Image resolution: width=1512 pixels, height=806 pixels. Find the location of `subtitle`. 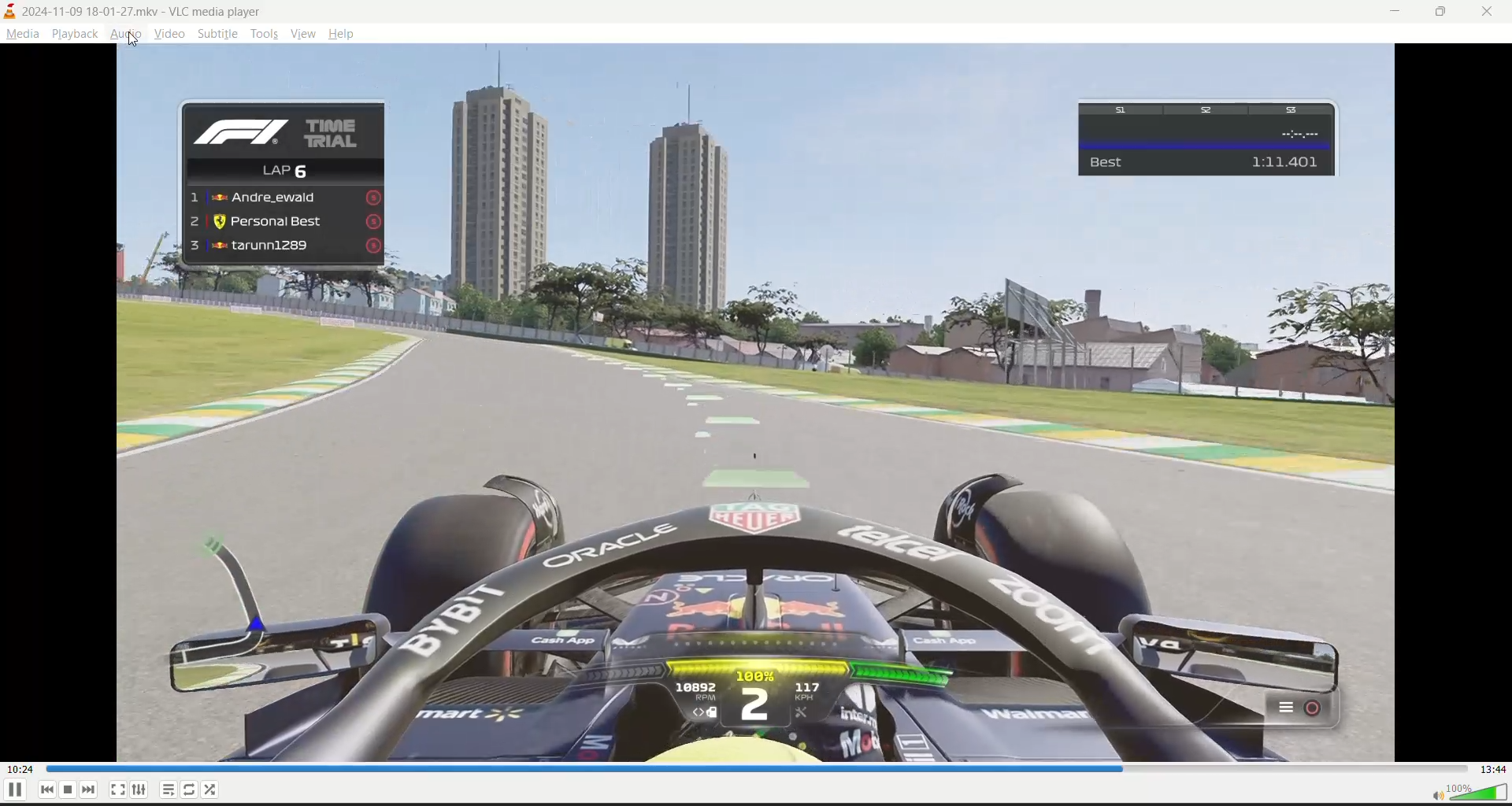

subtitle is located at coordinates (220, 35).